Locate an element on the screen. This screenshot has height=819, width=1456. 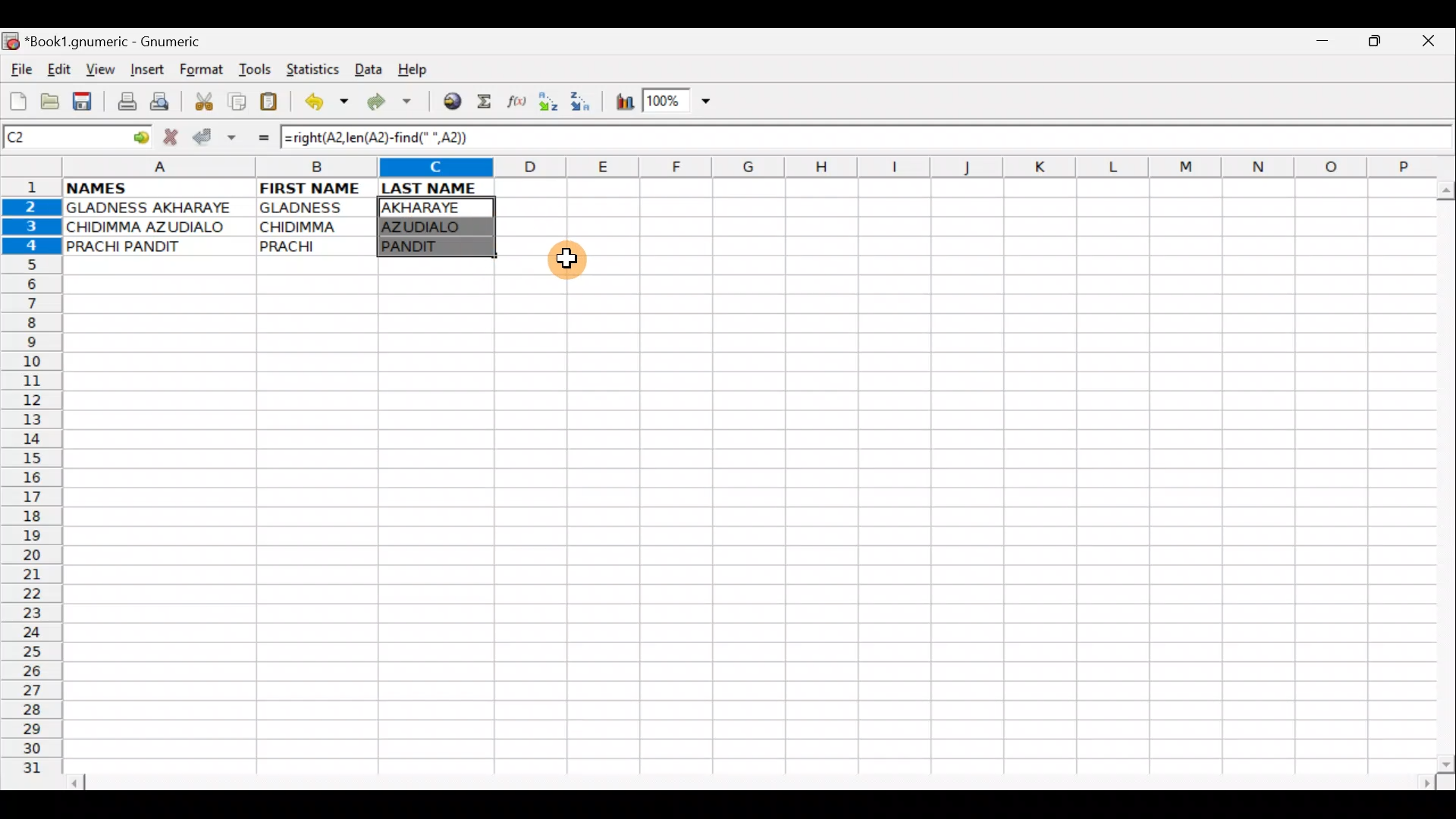
GLADNESS AKHARAYE is located at coordinates (158, 209).